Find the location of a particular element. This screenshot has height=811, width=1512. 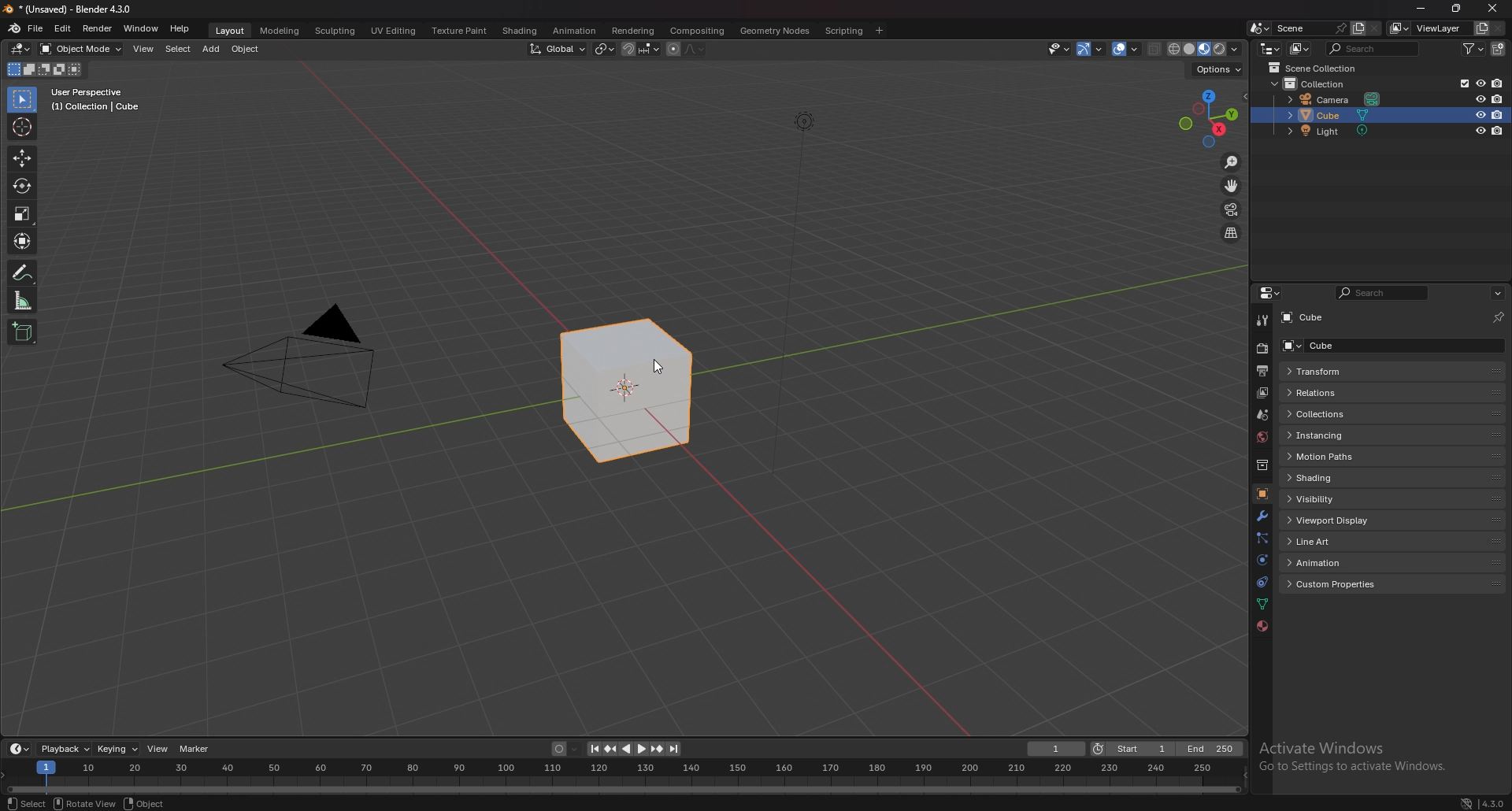

texture paint is located at coordinates (459, 31).